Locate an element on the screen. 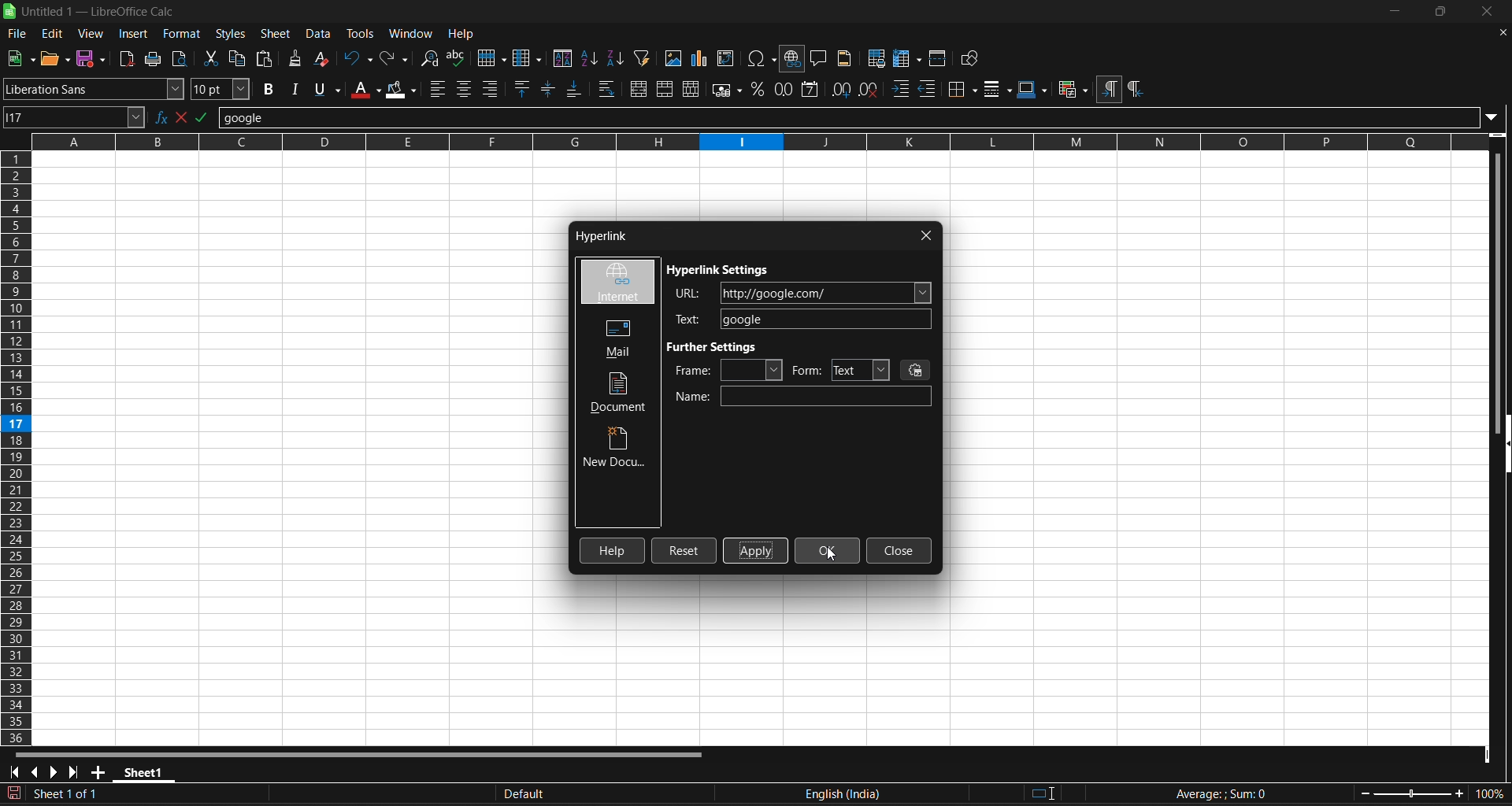 The image size is (1512, 806). scroll to next sheet  is located at coordinates (53, 773).